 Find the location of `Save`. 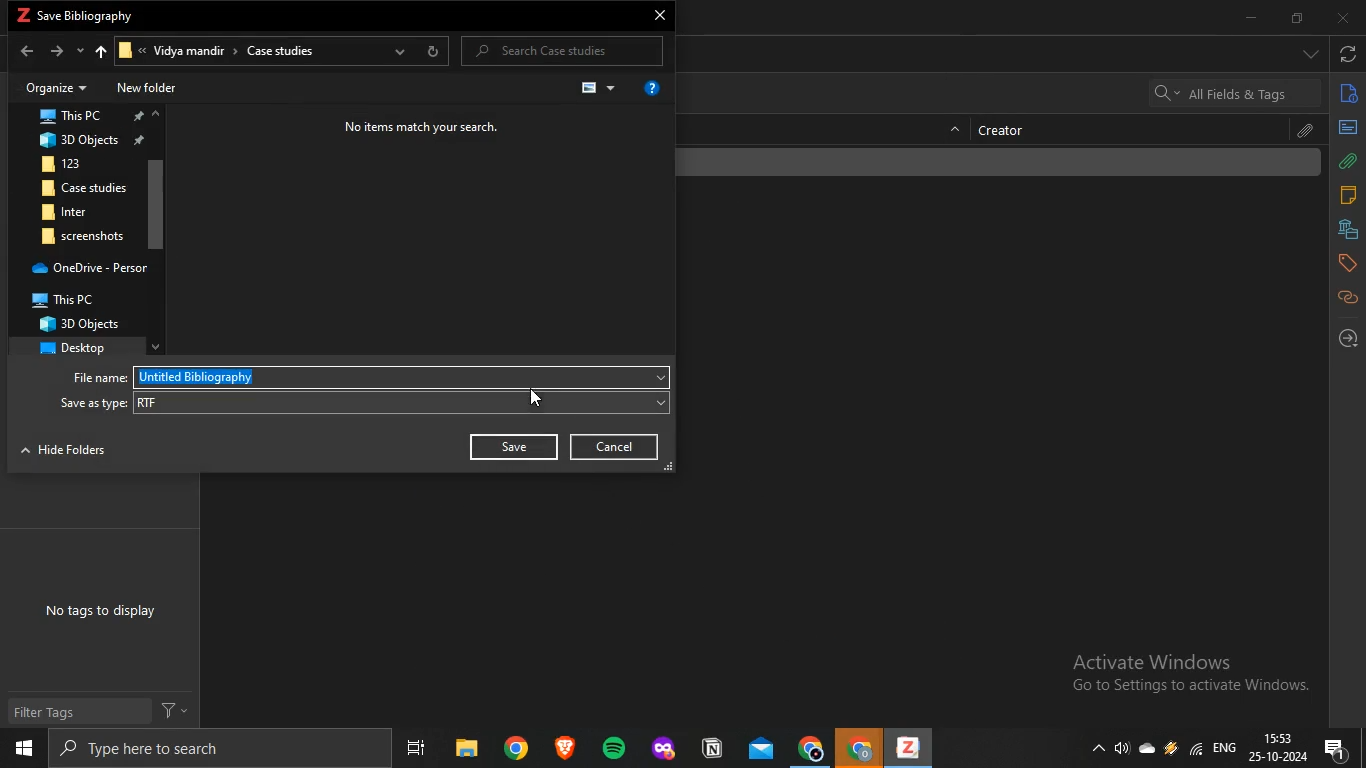

Save is located at coordinates (513, 448).